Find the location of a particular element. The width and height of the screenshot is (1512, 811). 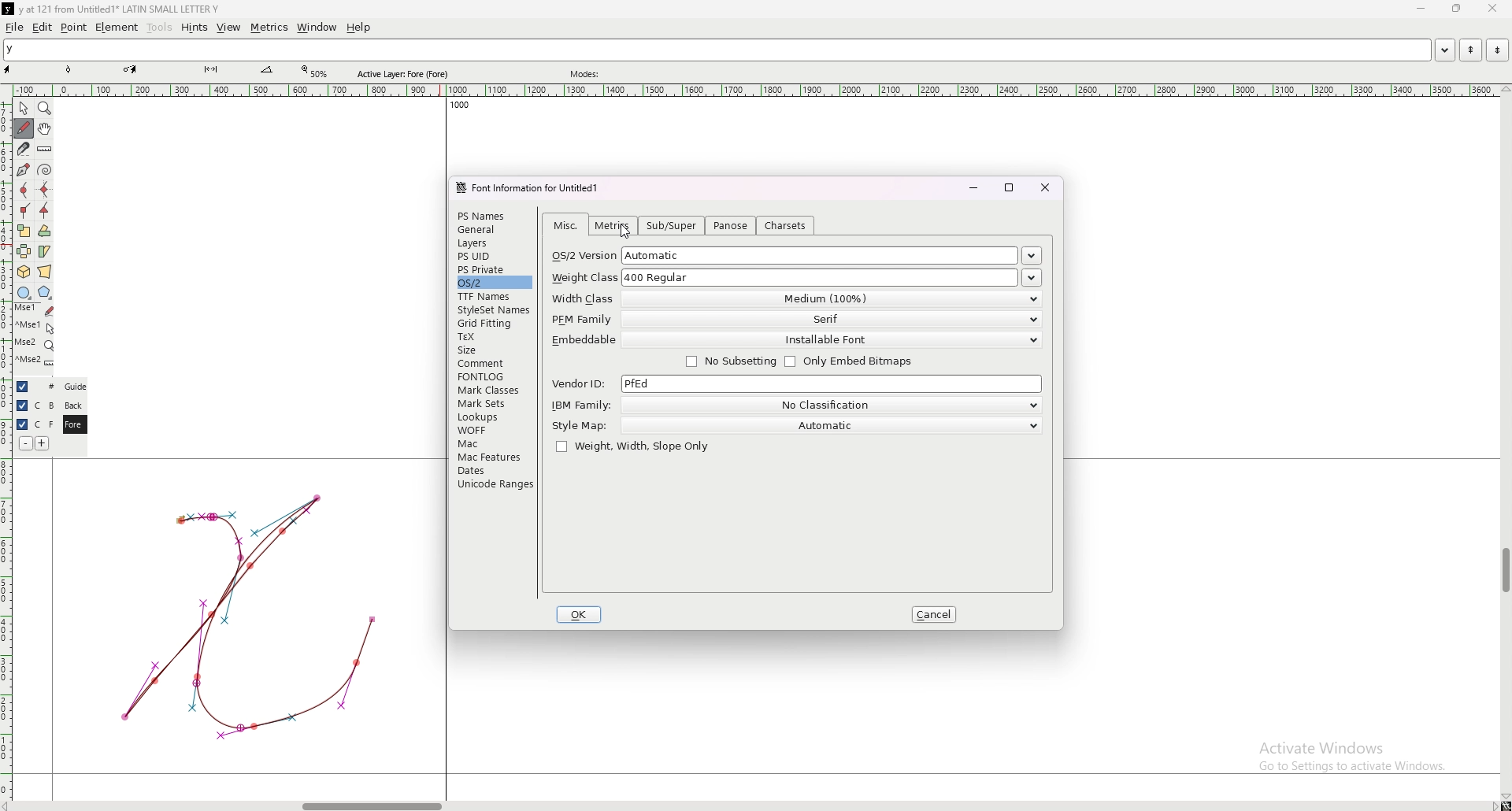

font information for untitled1 is located at coordinates (533, 188).